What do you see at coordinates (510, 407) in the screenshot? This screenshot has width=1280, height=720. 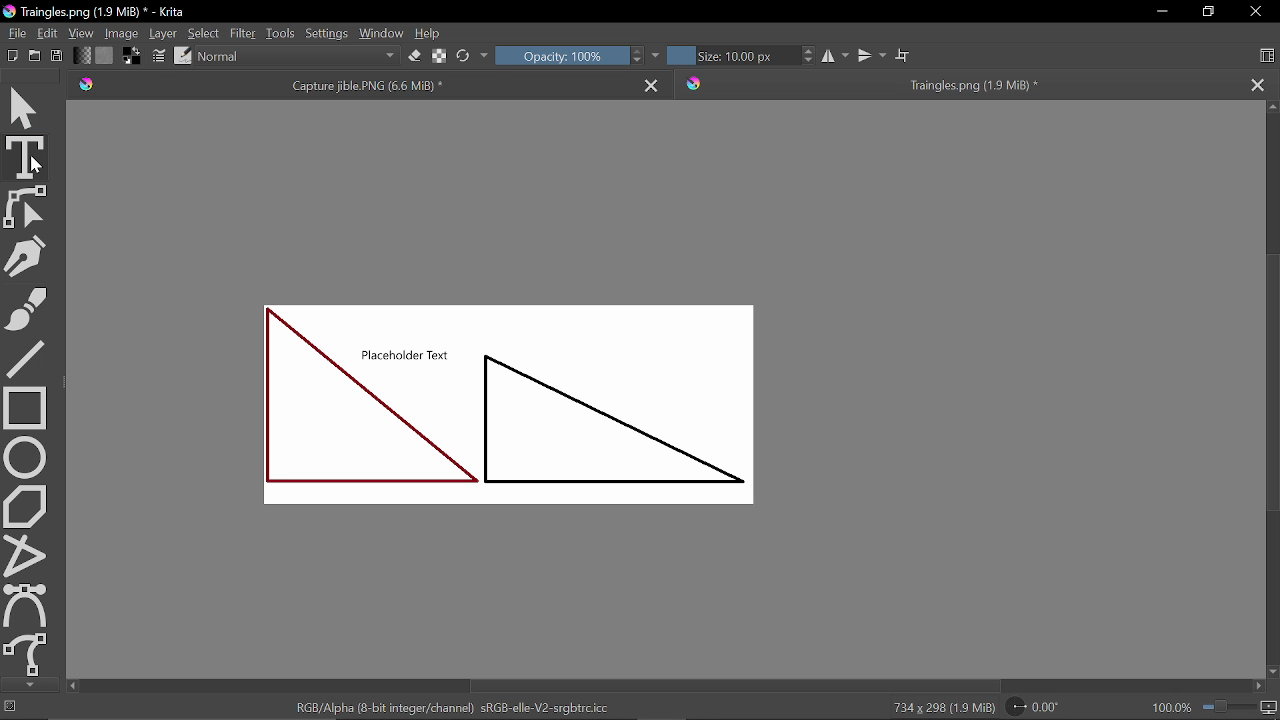 I see `Placeholder Text` at bounding box center [510, 407].